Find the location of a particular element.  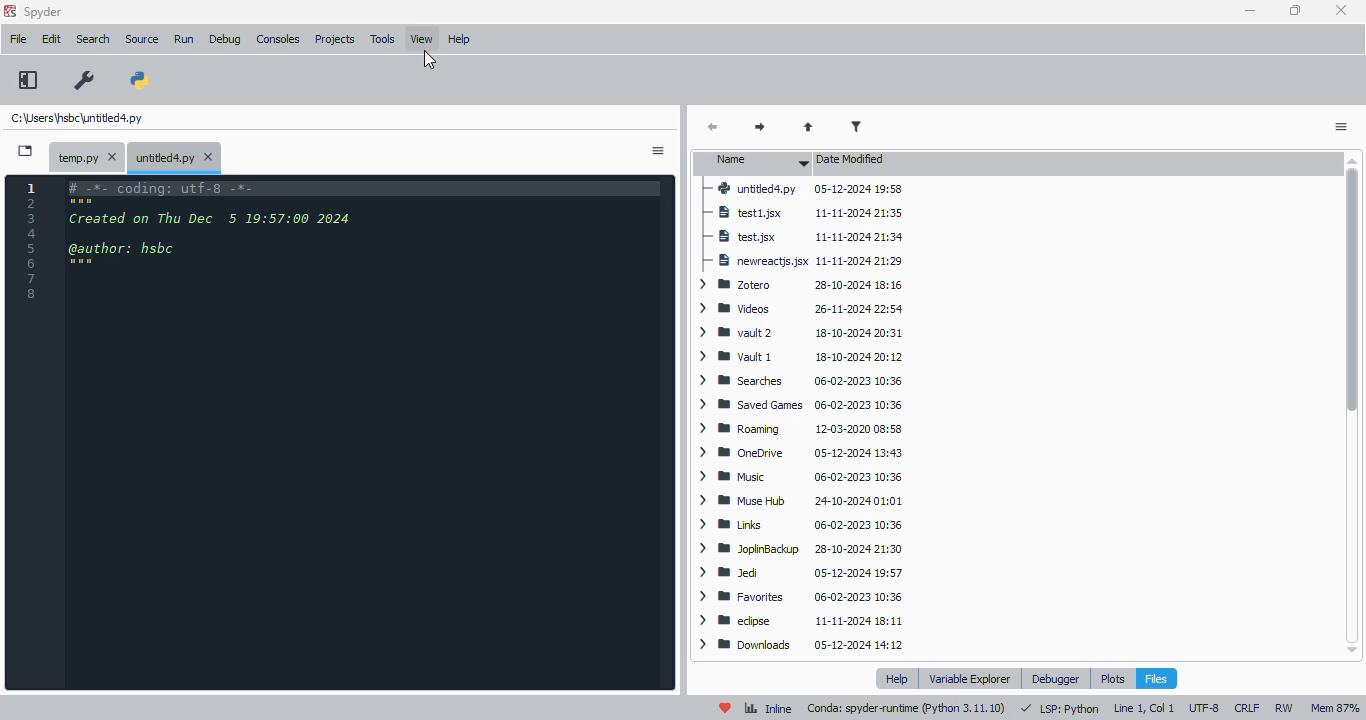

close is located at coordinates (1340, 10).